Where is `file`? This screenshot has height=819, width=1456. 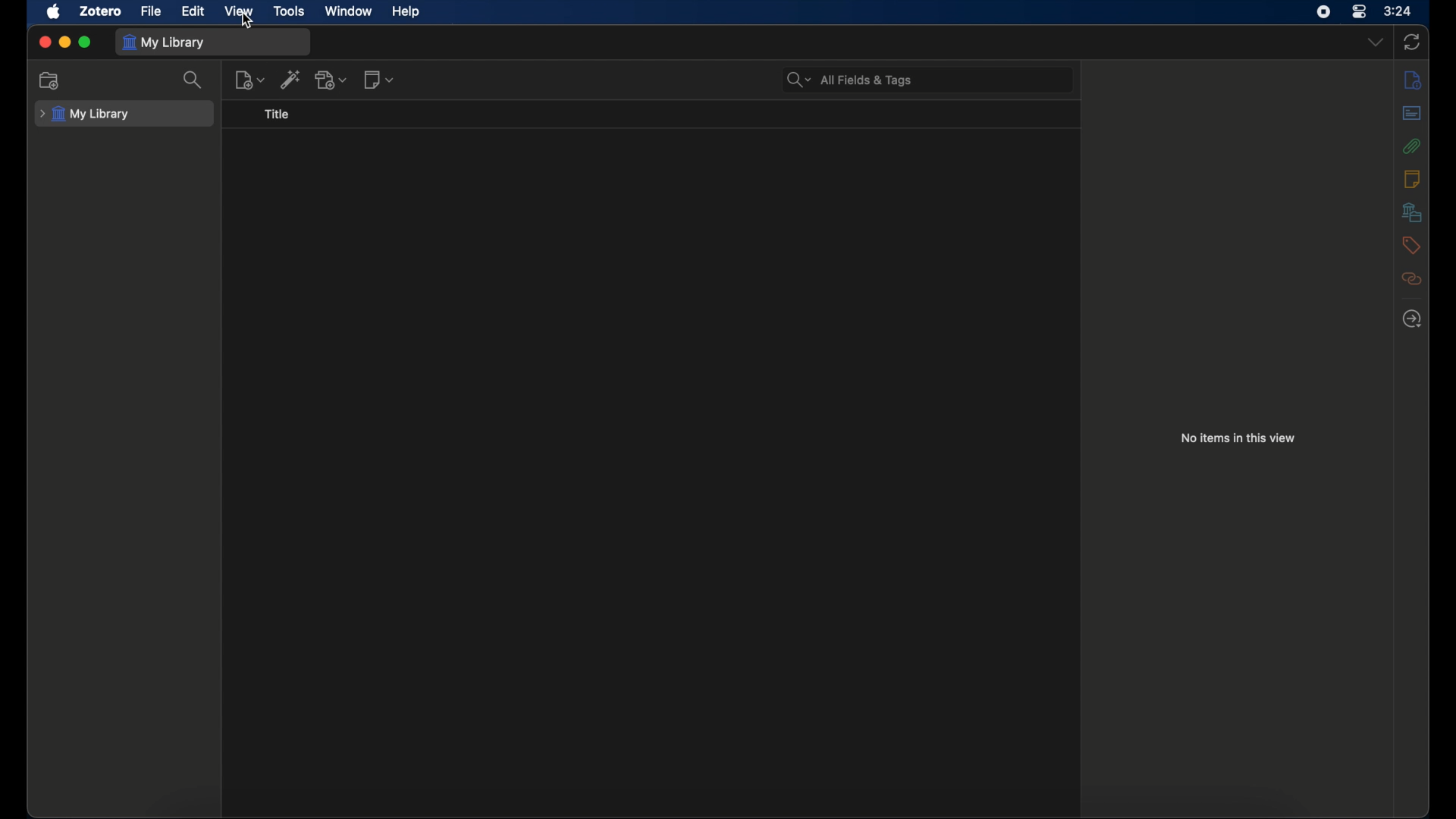 file is located at coordinates (152, 12).